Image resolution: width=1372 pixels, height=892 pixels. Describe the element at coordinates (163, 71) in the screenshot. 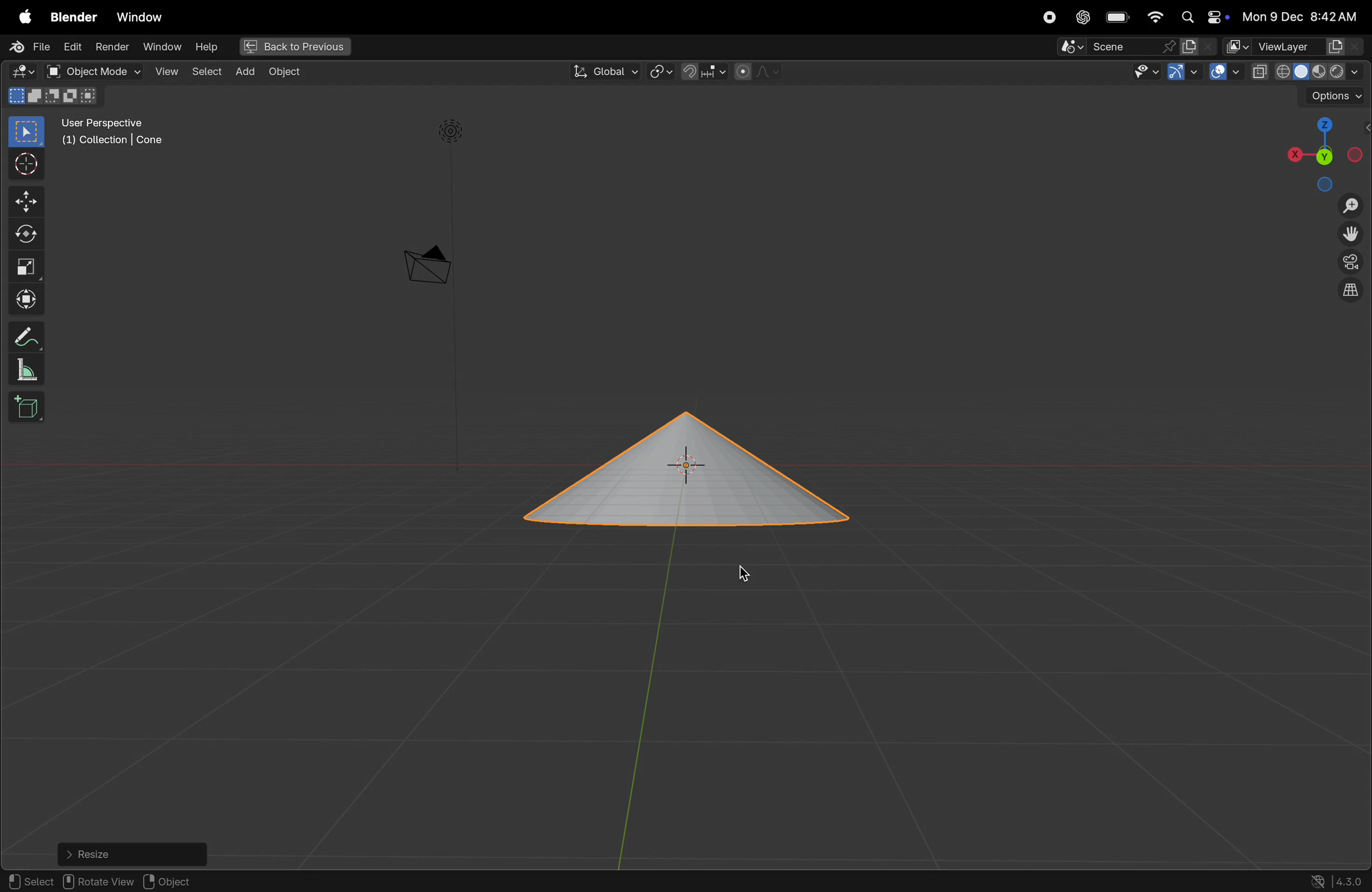

I see `view` at that location.